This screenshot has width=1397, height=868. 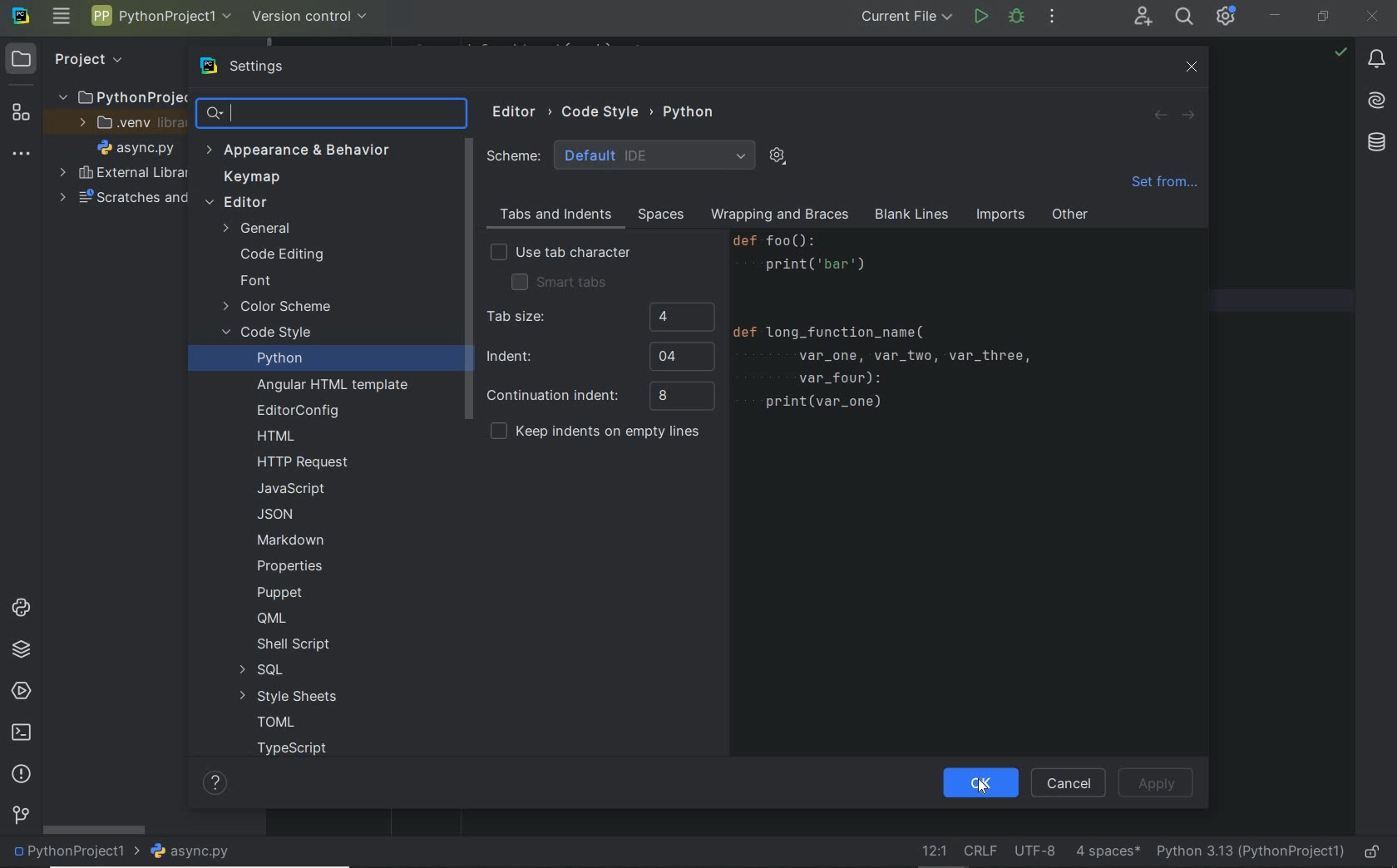 What do you see at coordinates (236, 204) in the screenshot?
I see `editor` at bounding box center [236, 204].